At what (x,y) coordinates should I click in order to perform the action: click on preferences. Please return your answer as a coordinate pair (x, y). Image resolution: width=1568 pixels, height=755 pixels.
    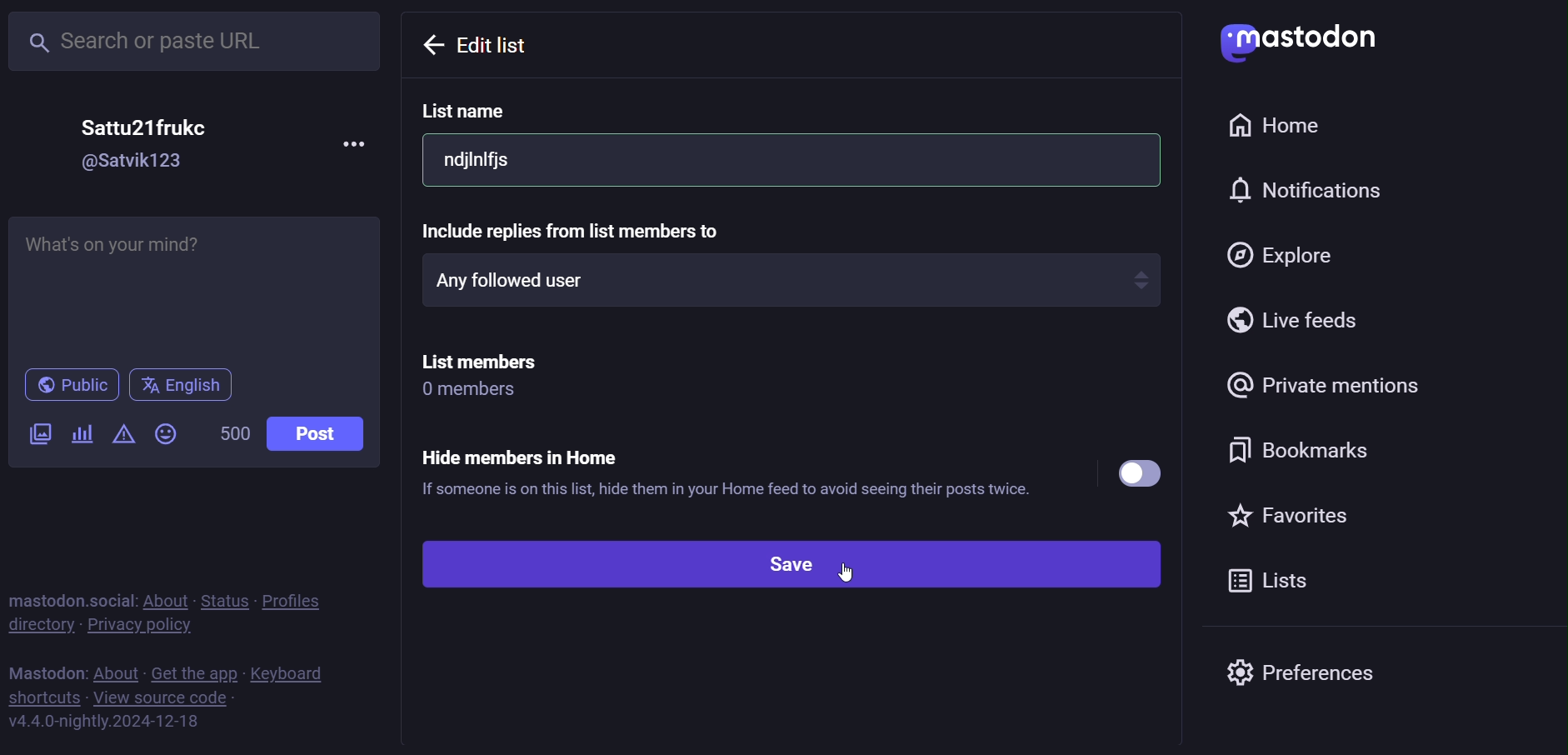
    Looking at the image, I should click on (1301, 667).